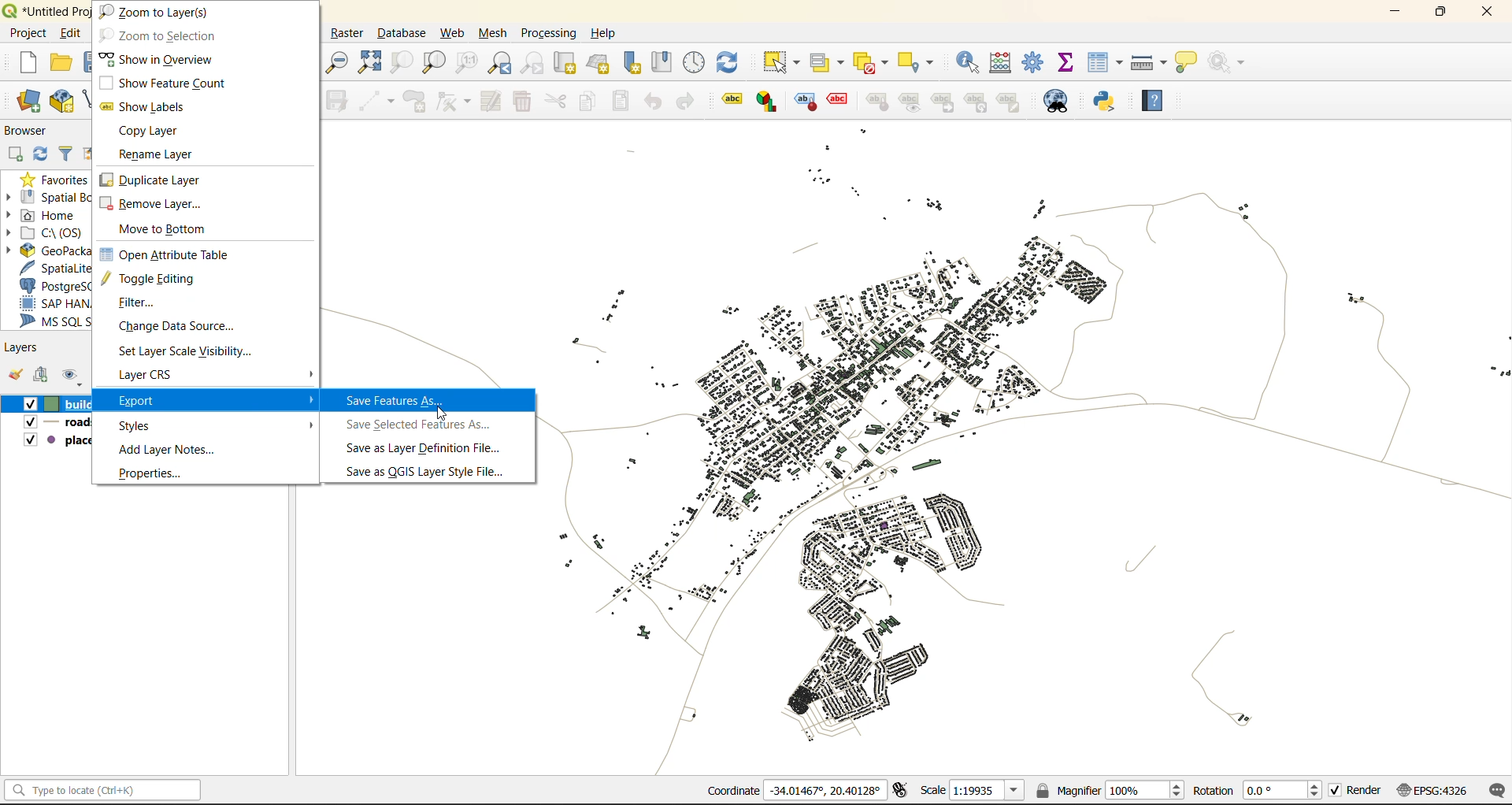  What do you see at coordinates (174, 35) in the screenshot?
I see `zoom to selection` at bounding box center [174, 35].